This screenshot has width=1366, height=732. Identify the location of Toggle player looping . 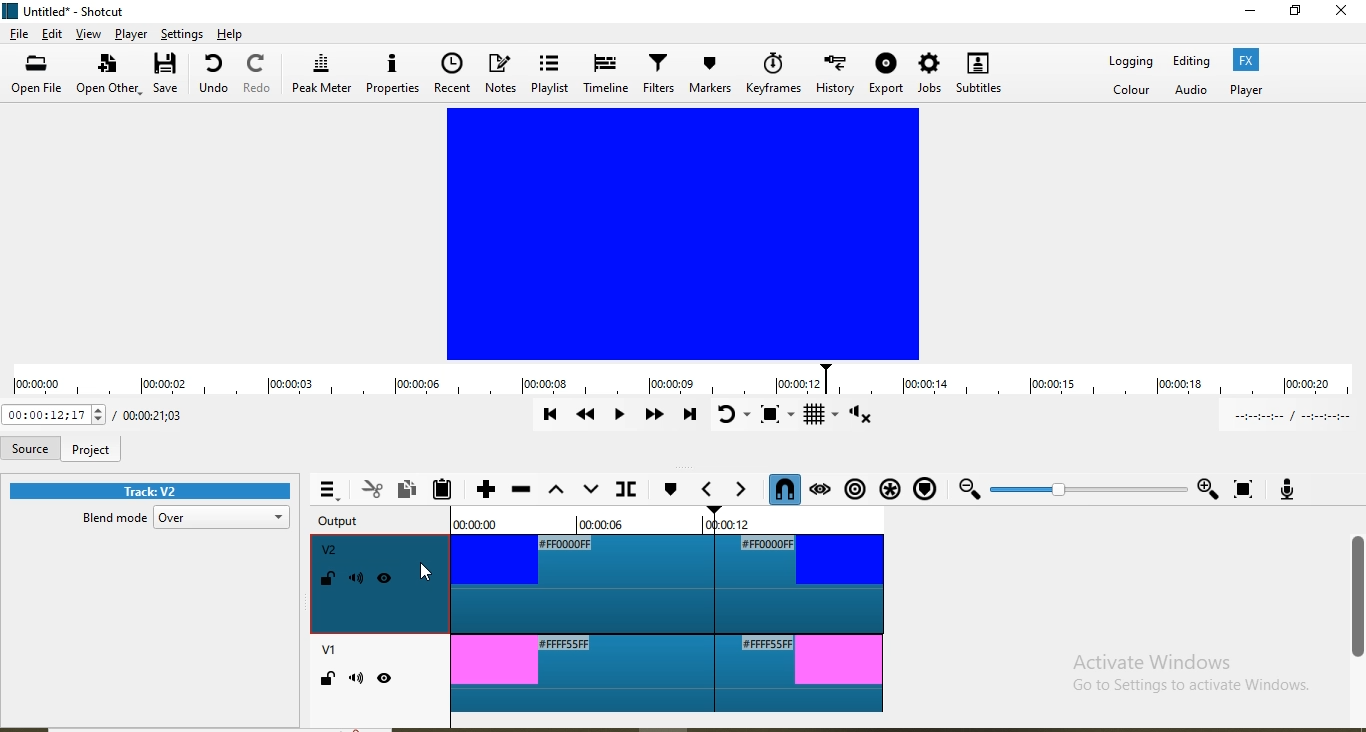
(733, 417).